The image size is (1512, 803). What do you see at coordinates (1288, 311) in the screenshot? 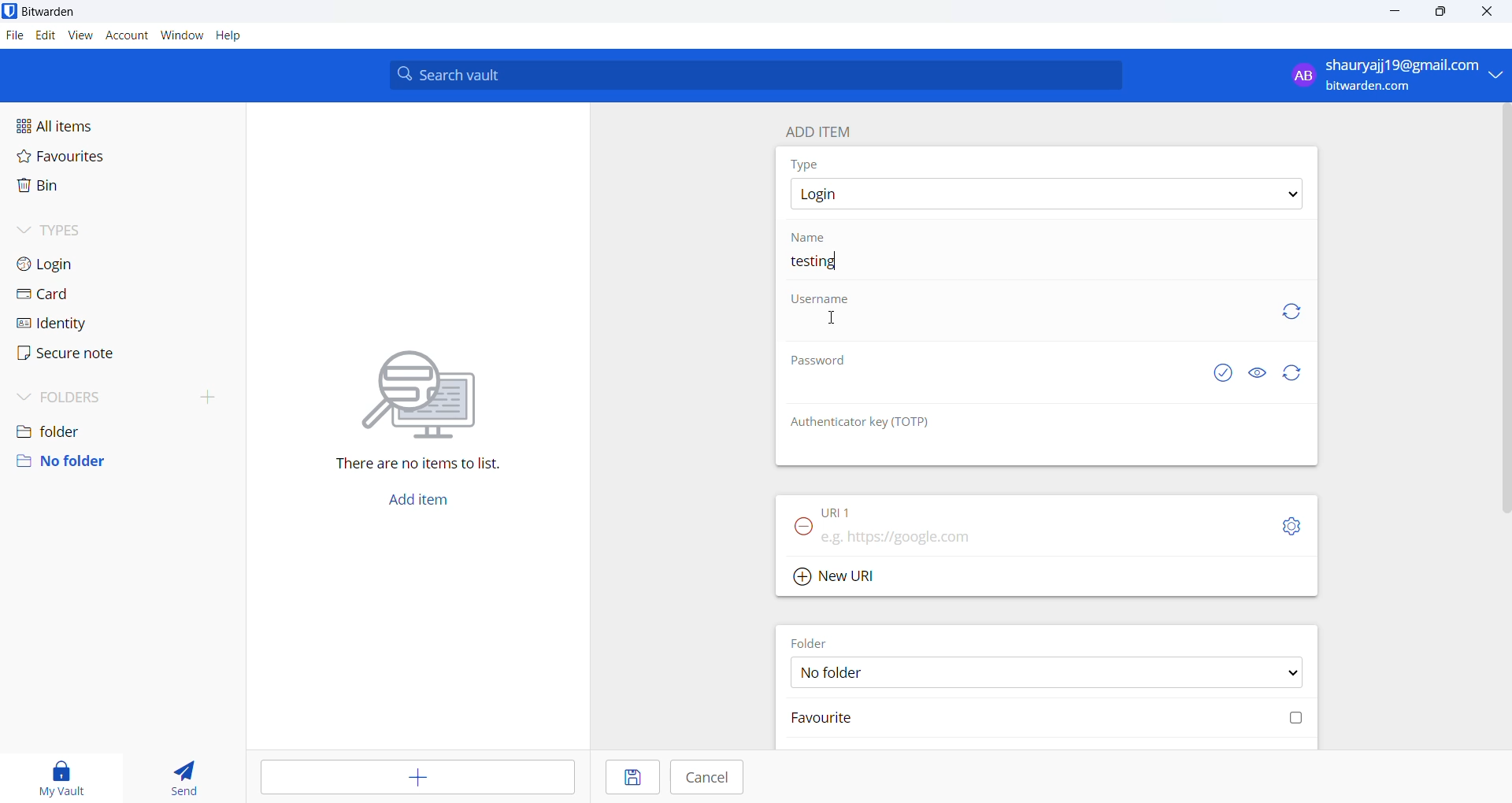
I see `refresh` at bounding box center [1288, 311].